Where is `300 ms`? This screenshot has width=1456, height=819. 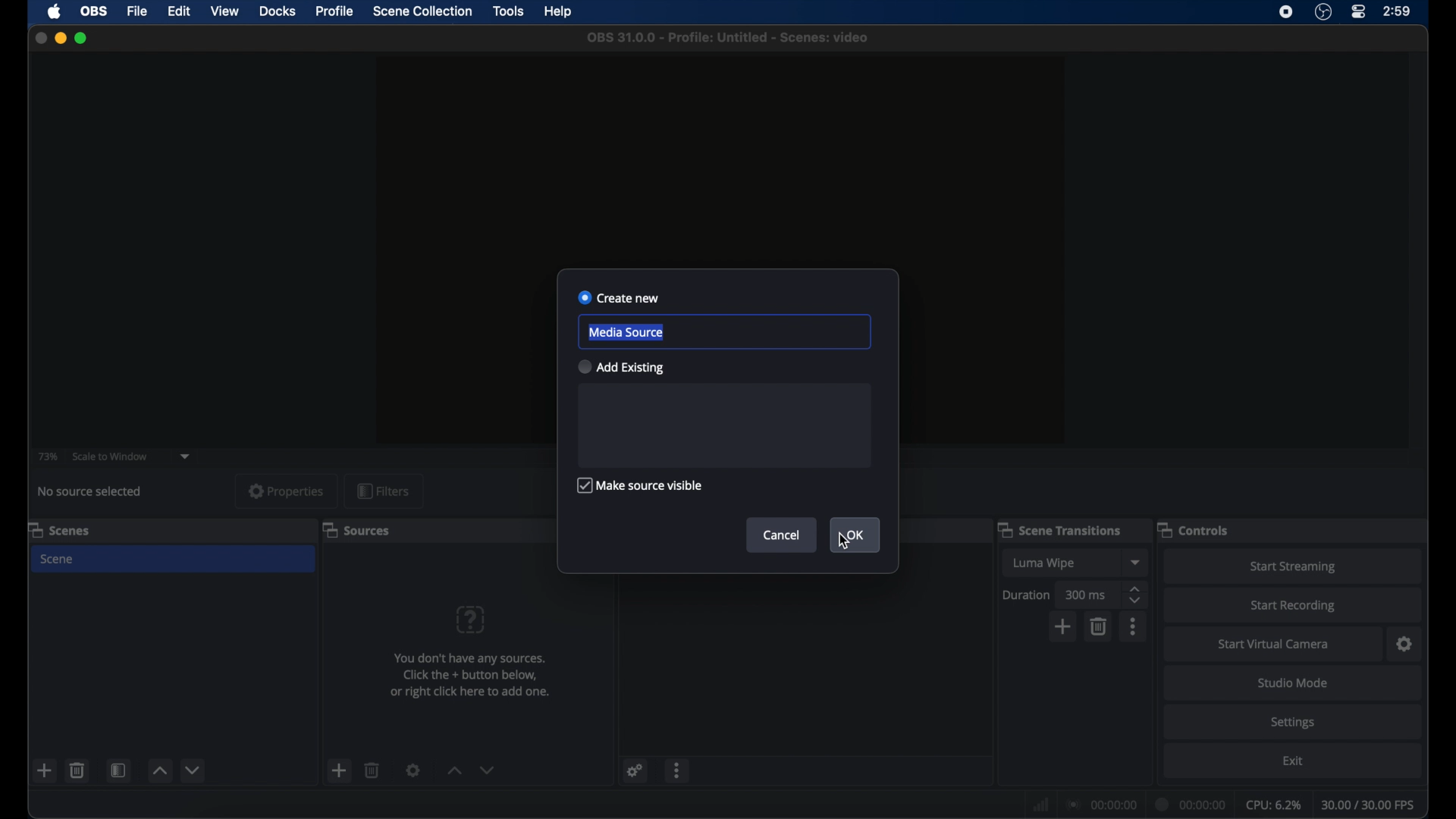
300 ms is located at coordinates (1087, 594).